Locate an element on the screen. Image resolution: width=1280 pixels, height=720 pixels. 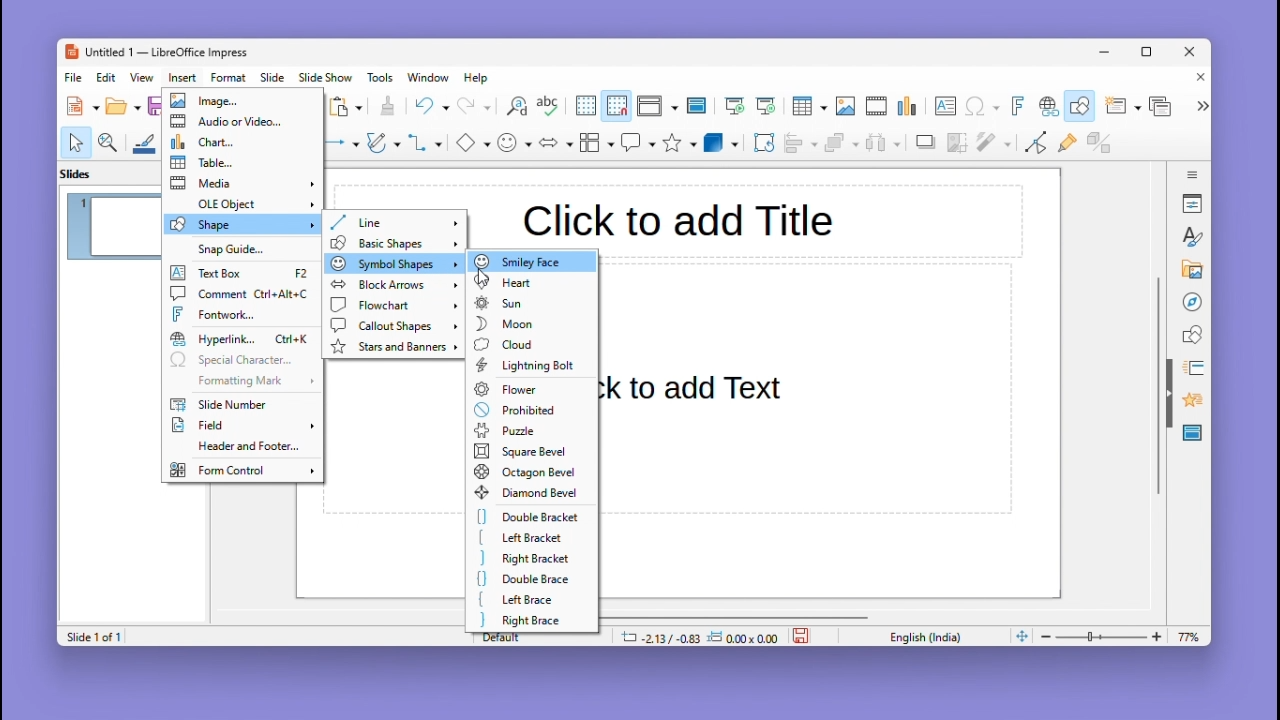
Lightning bolt is located at coordinates (529, 366).